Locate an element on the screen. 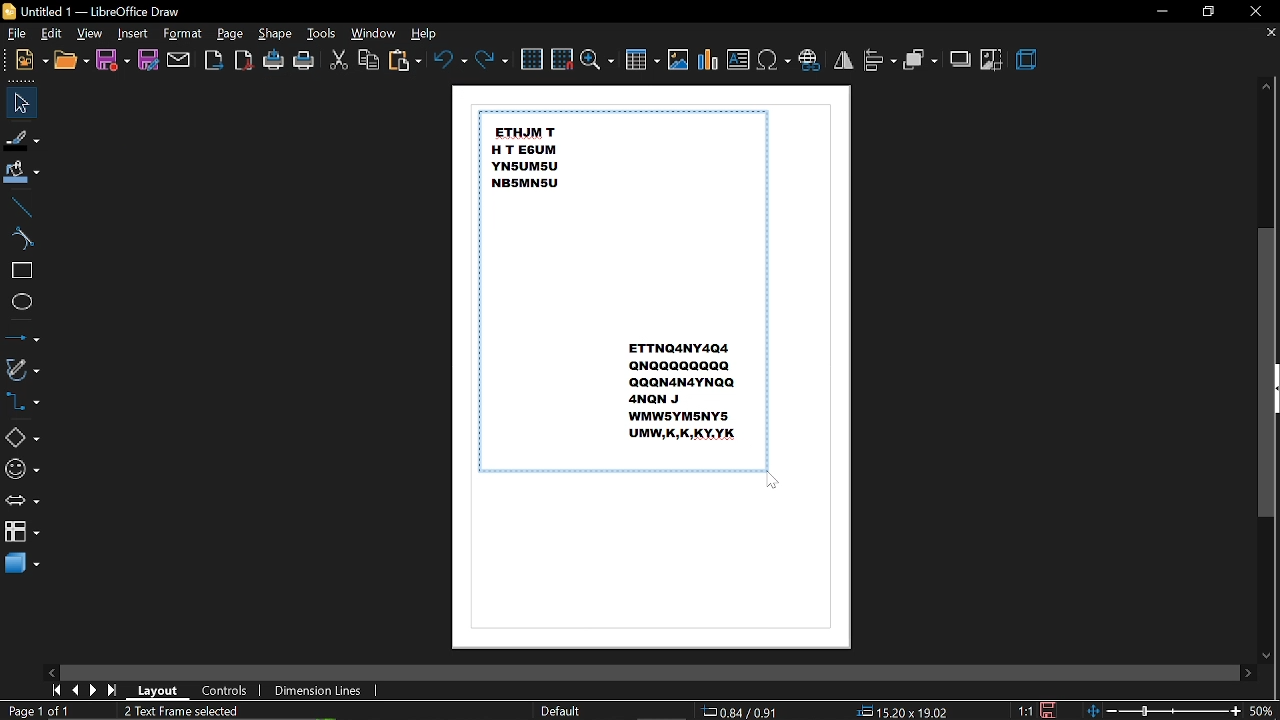 The height and width of the screenshot is (720, 1280). print is located at coordinates (305, 61).